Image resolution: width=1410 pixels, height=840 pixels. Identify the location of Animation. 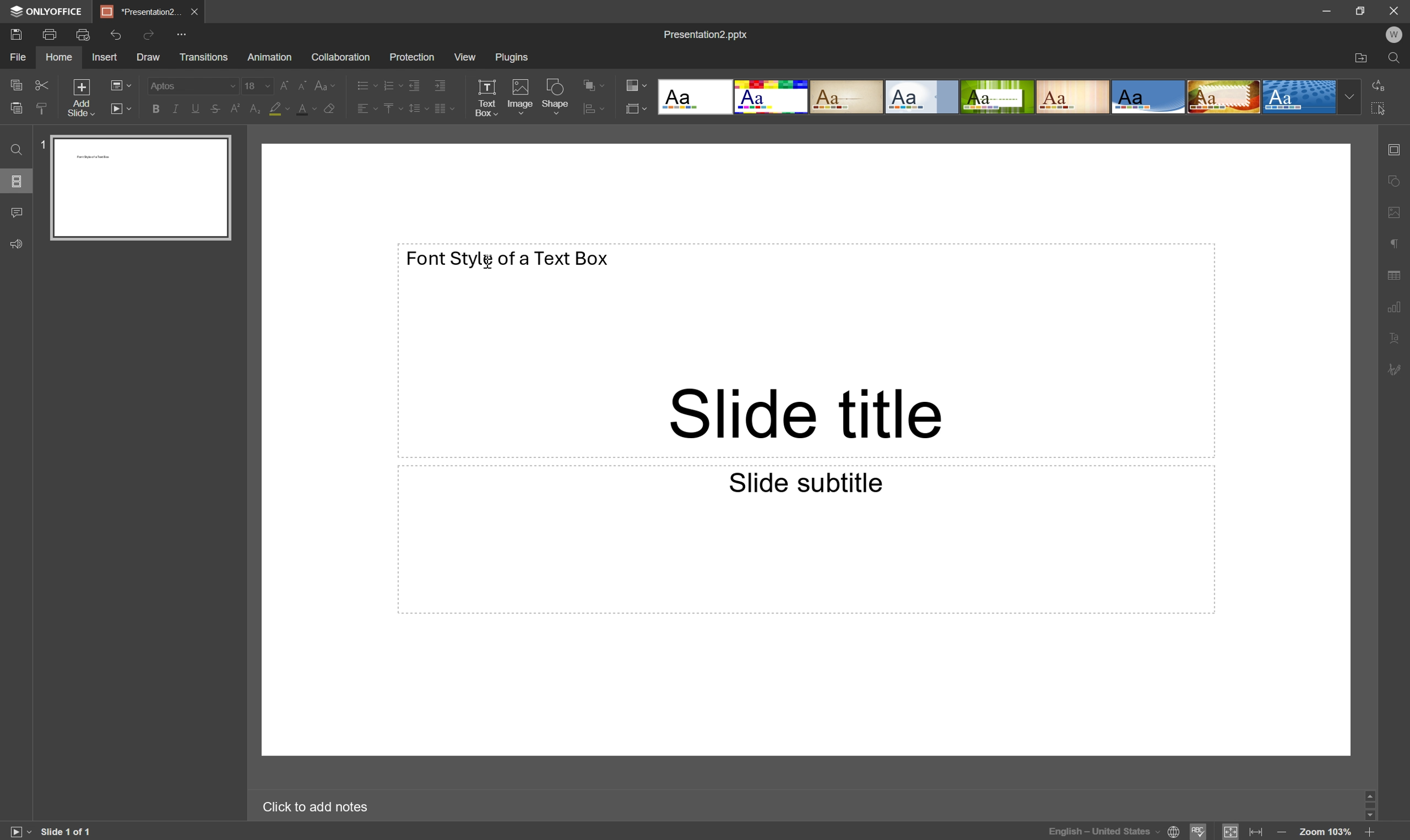
(270, 57).